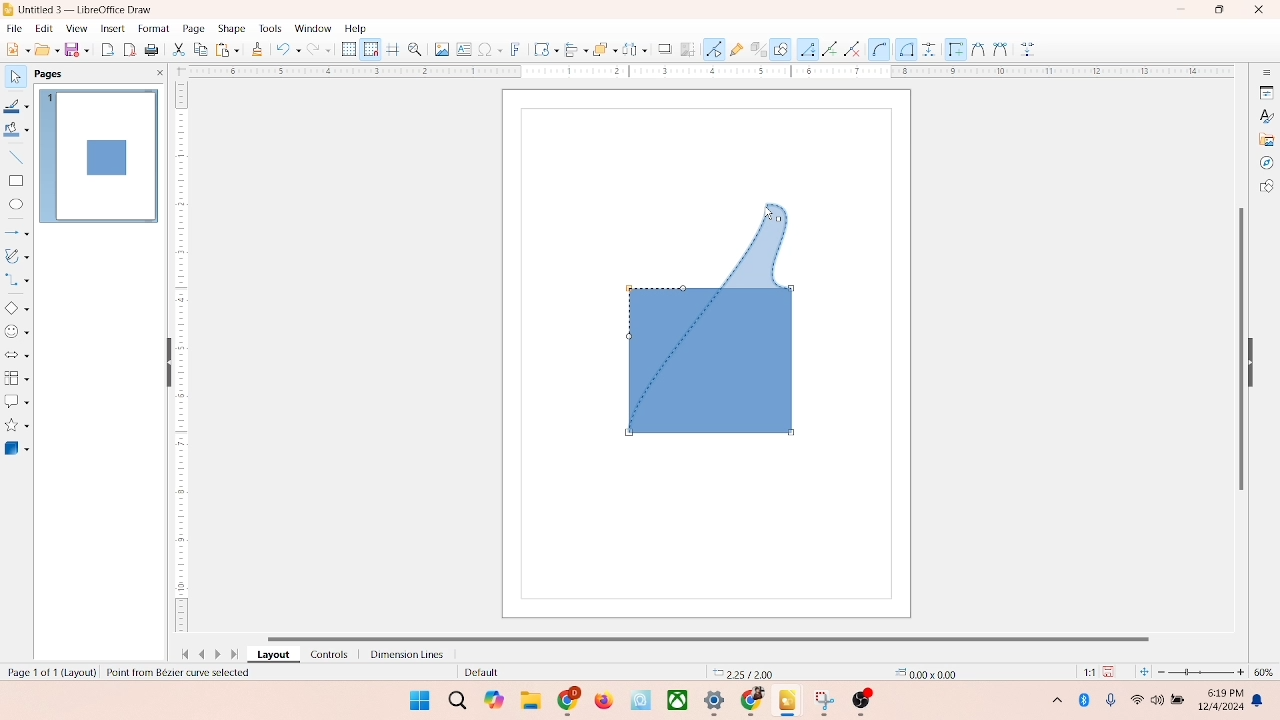 The height and width of the screenshot is (720, 1280). I want to click on coordinates, so click(737, 671).